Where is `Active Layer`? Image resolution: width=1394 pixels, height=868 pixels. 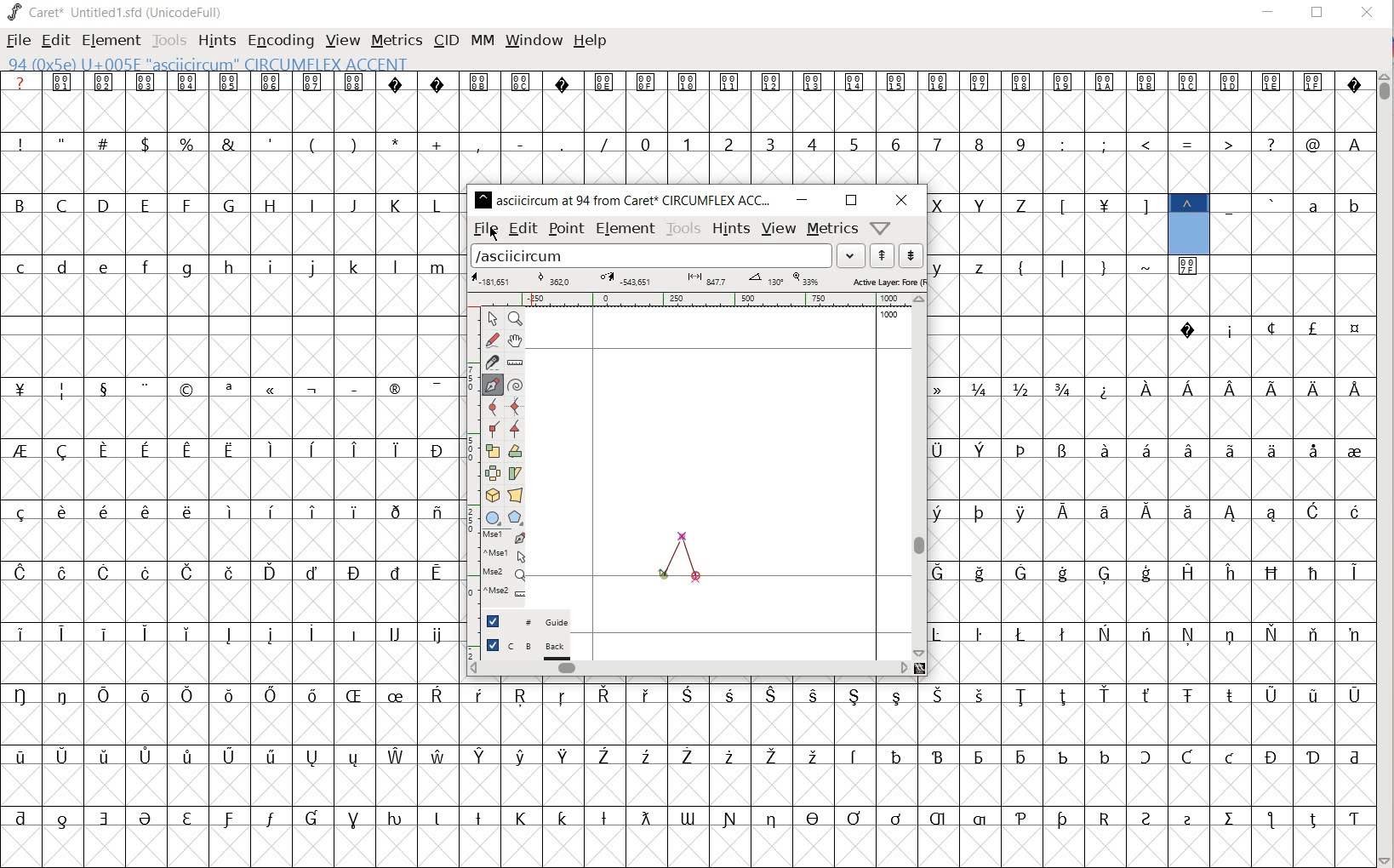
Active Layer is located at coordinates (697, 280).